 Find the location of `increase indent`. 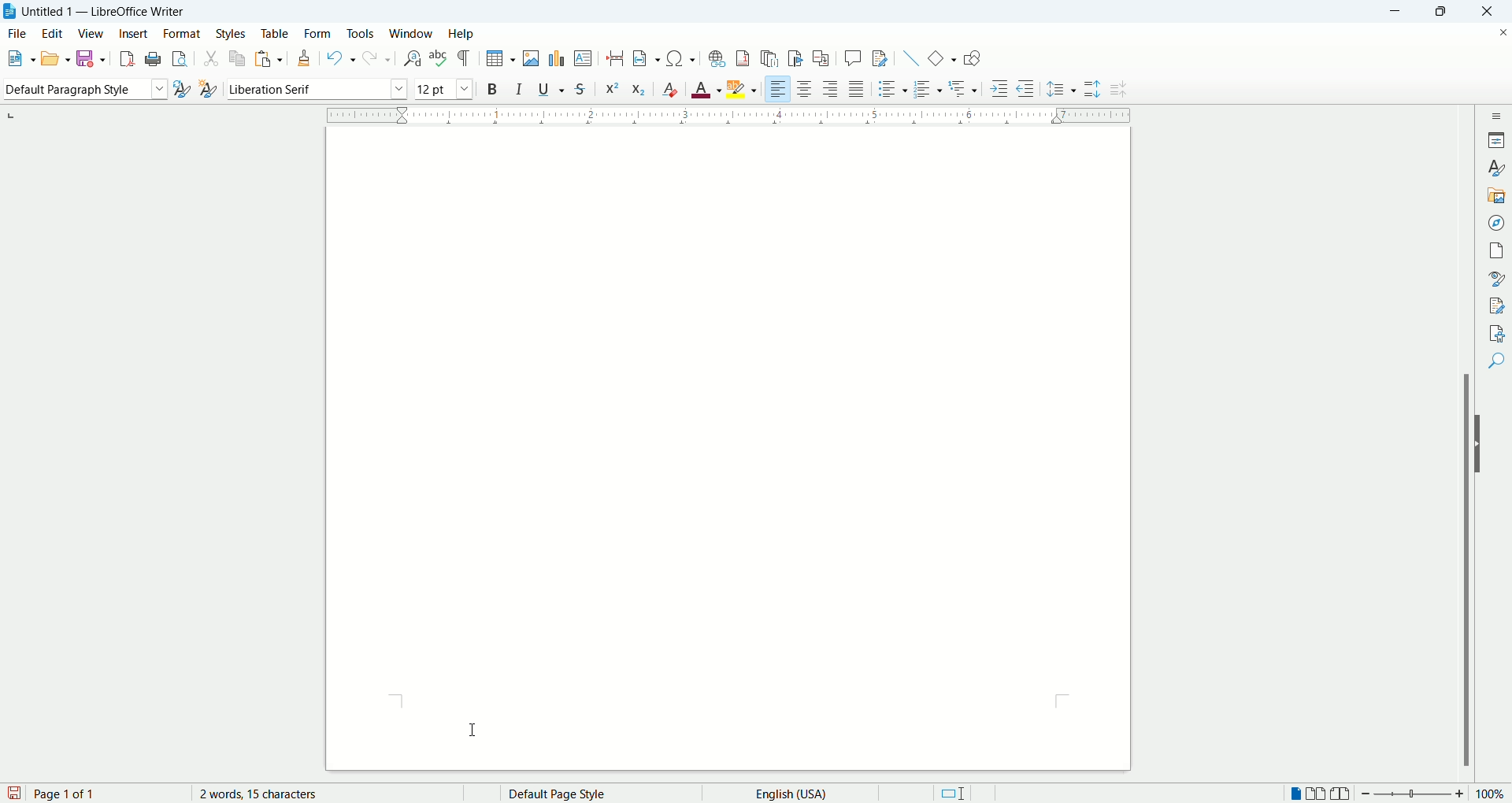

increase indent is located at coordinates (1000, 88).